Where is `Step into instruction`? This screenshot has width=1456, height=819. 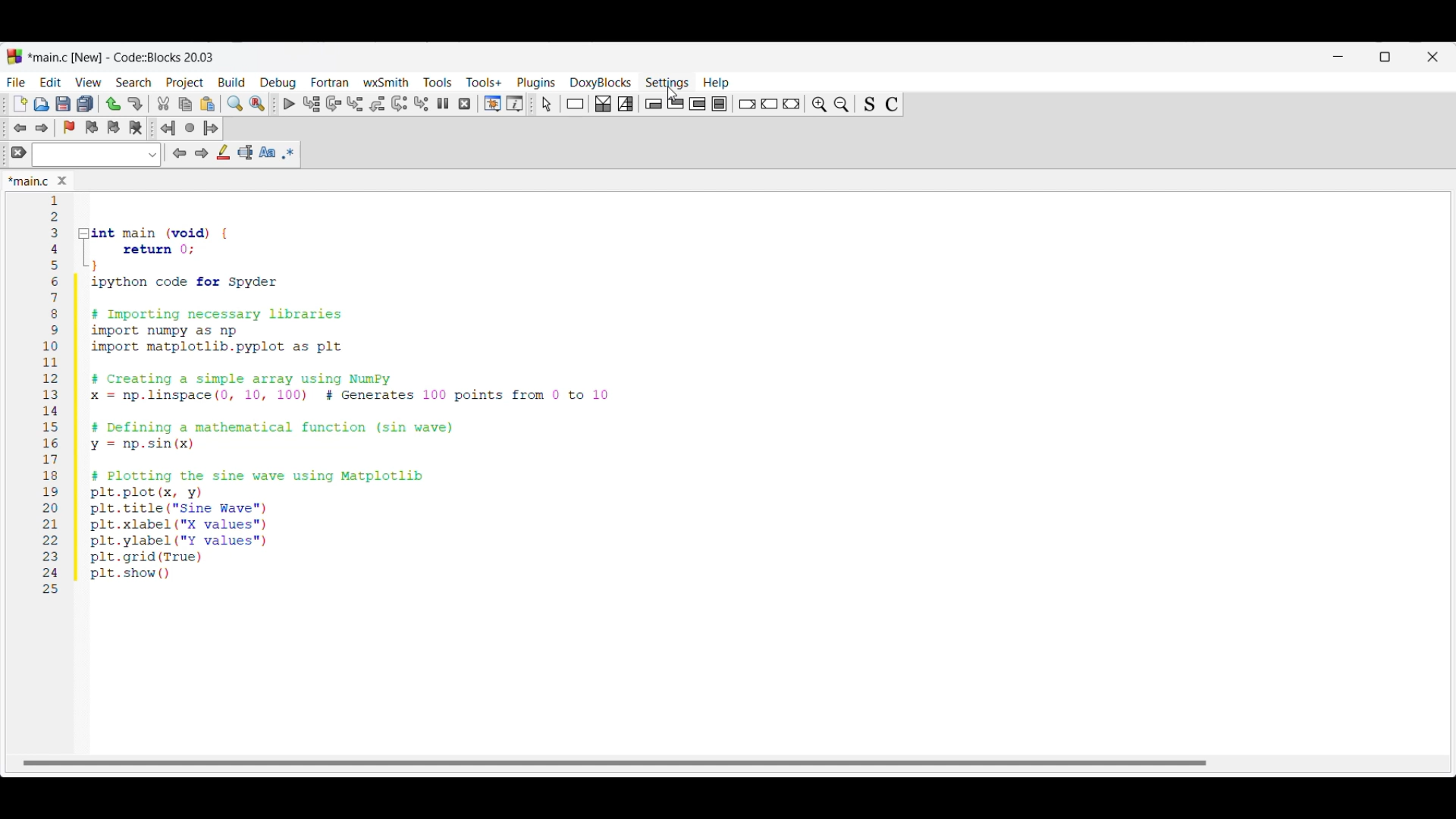 Step into instruction is located at coordinates (421, 104).